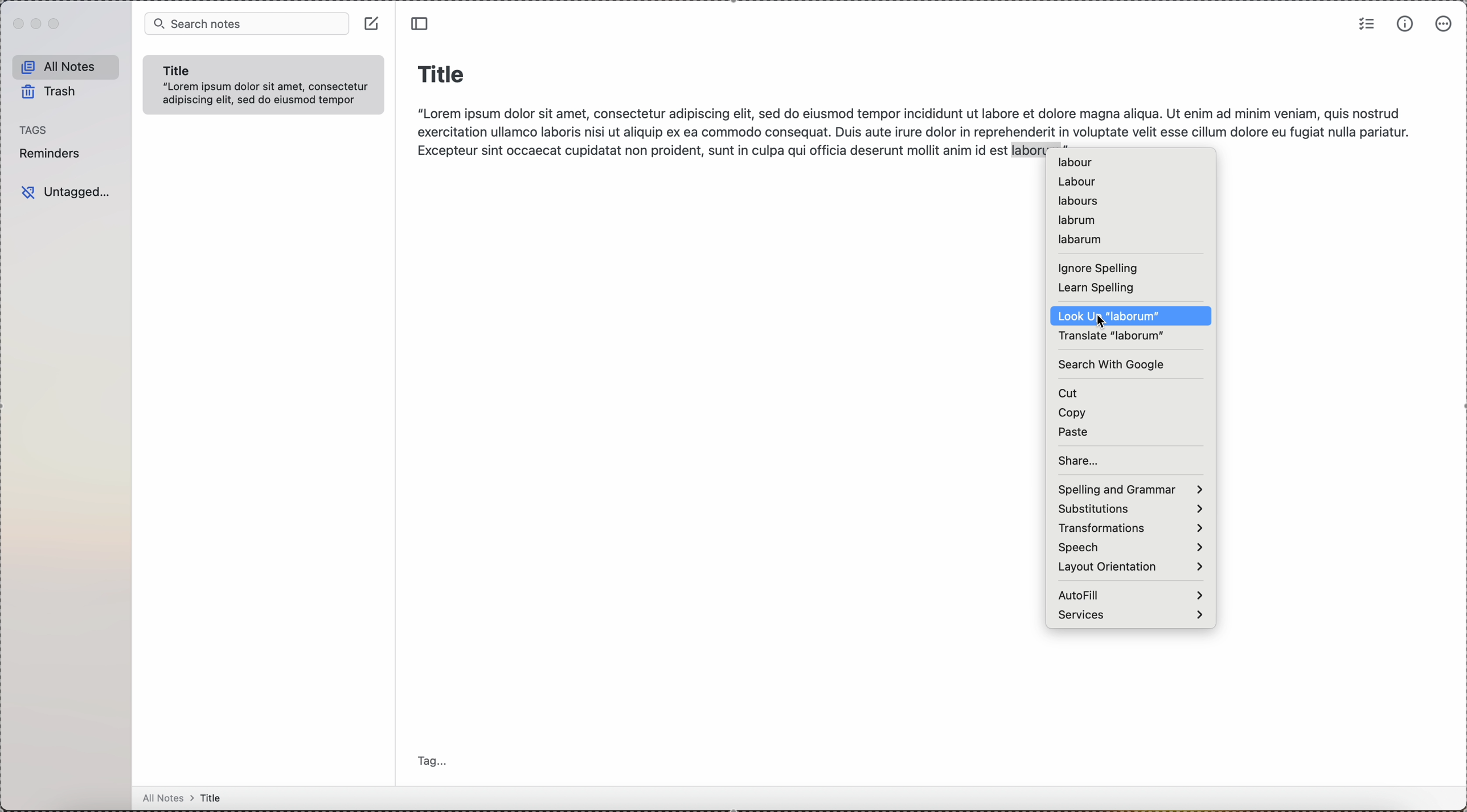  Describe the element at coordinates (1114, 336) in the screenshot. I see `translate` at that location.